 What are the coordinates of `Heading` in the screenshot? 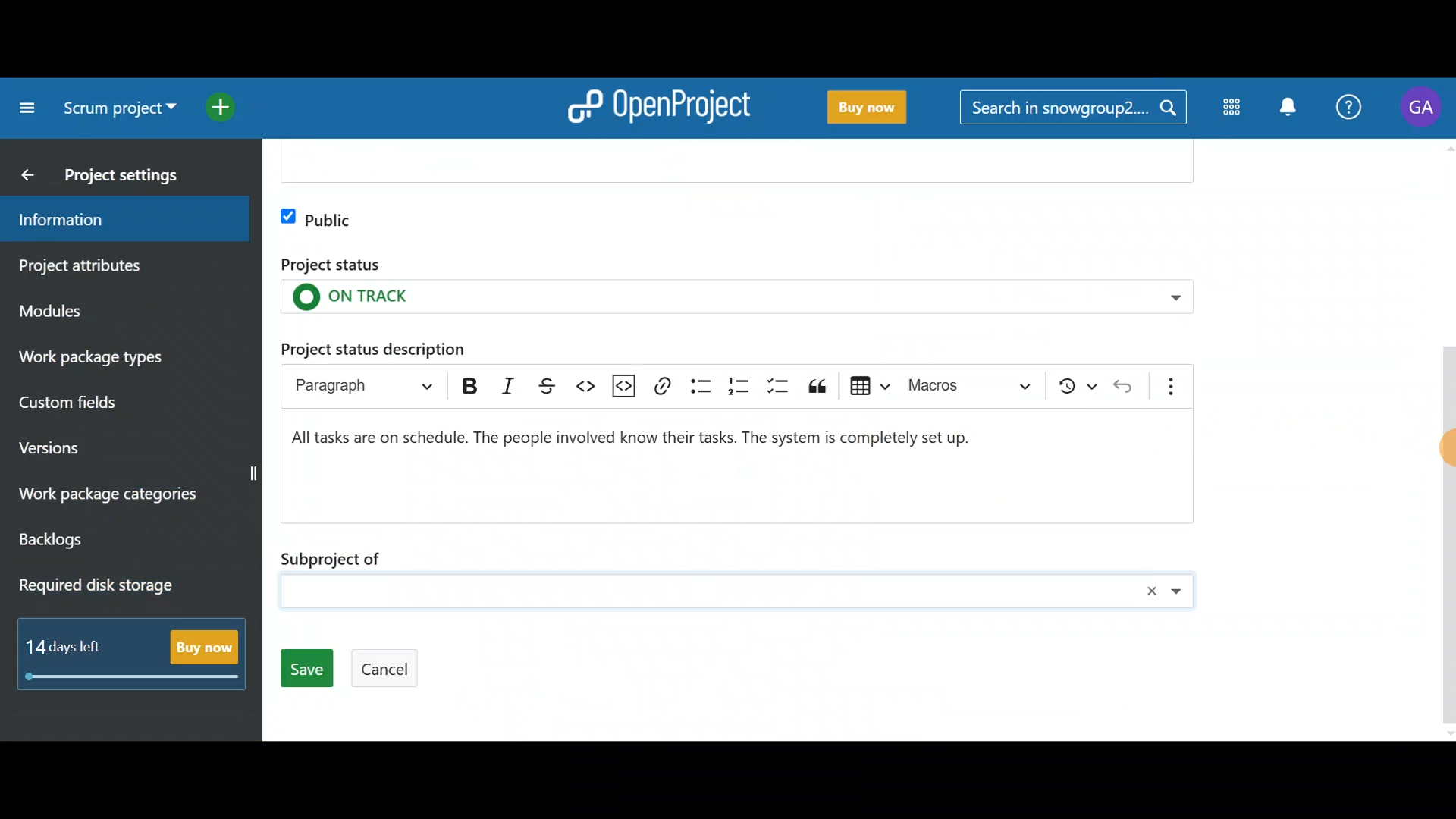 It's located at (372, 385).